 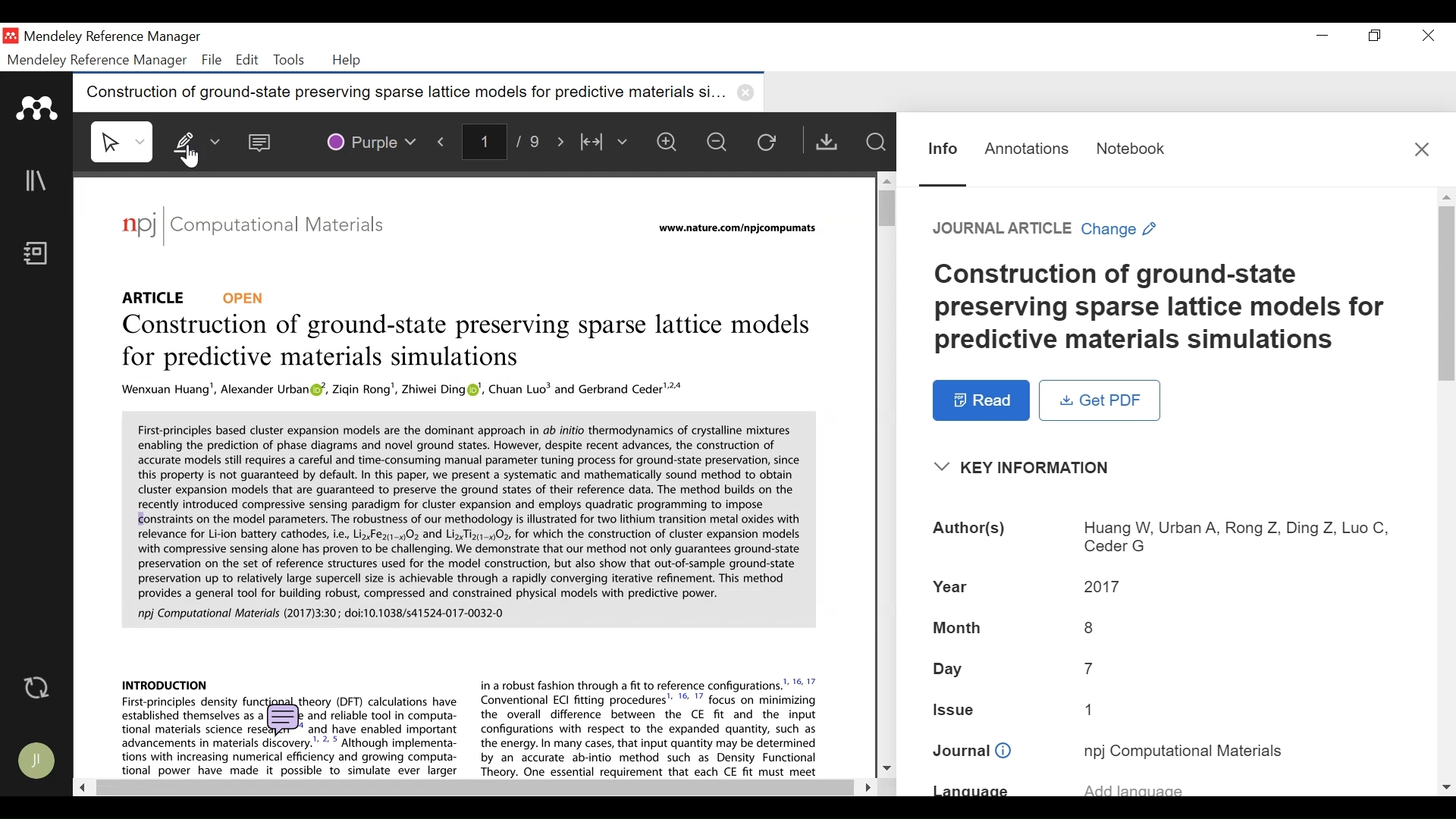 What do you see at coordinates (826, 141) in the screenshot?
I see `Get PDF` at bounding box center [826, 141].